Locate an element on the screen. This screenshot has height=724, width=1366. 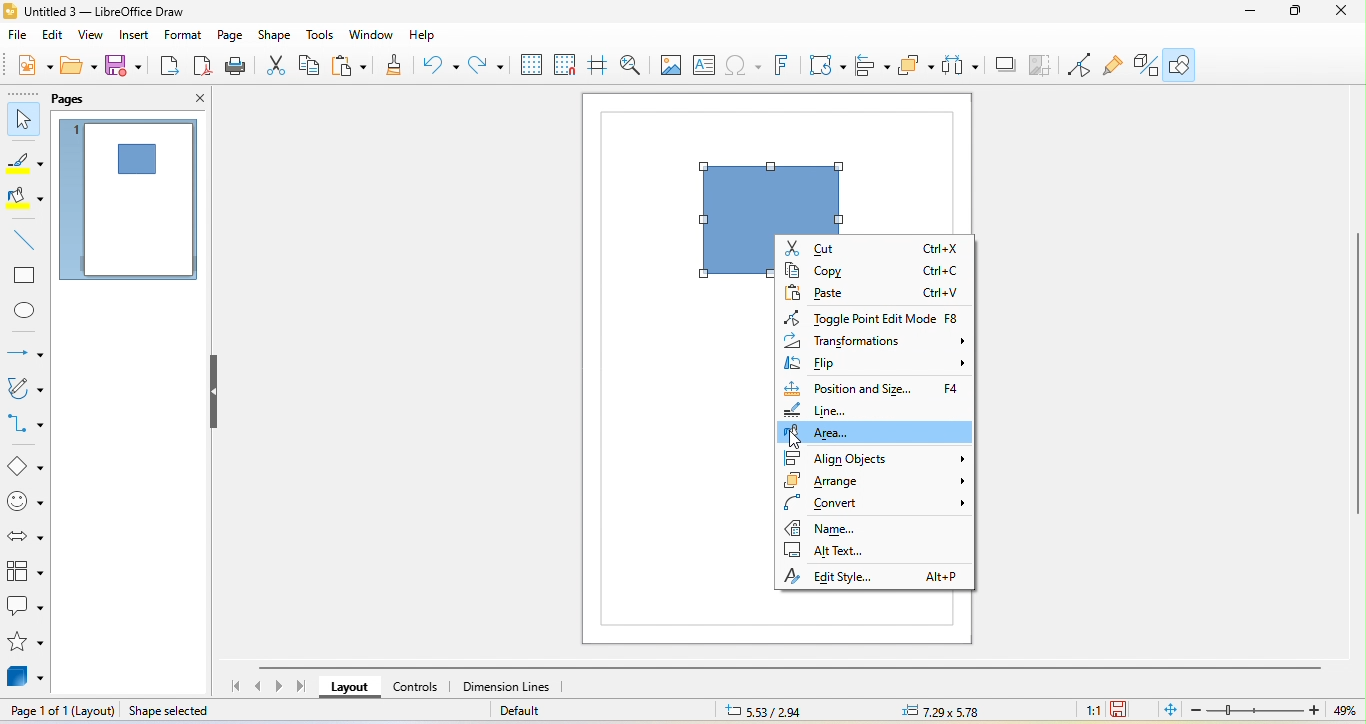
lines and arrow is located at coordinates (25, 348).